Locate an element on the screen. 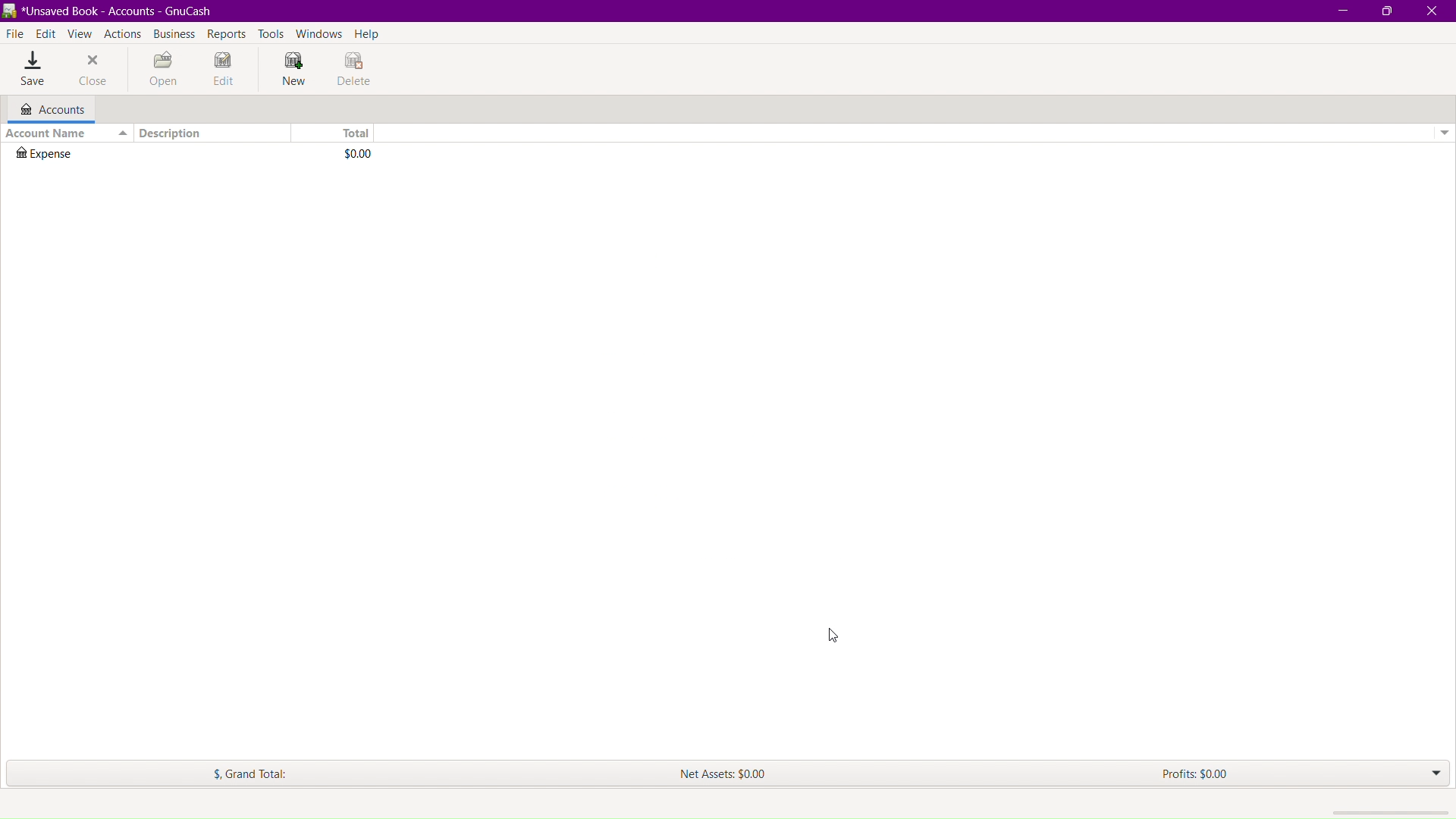  Edit is located at coordinates (225, 71).